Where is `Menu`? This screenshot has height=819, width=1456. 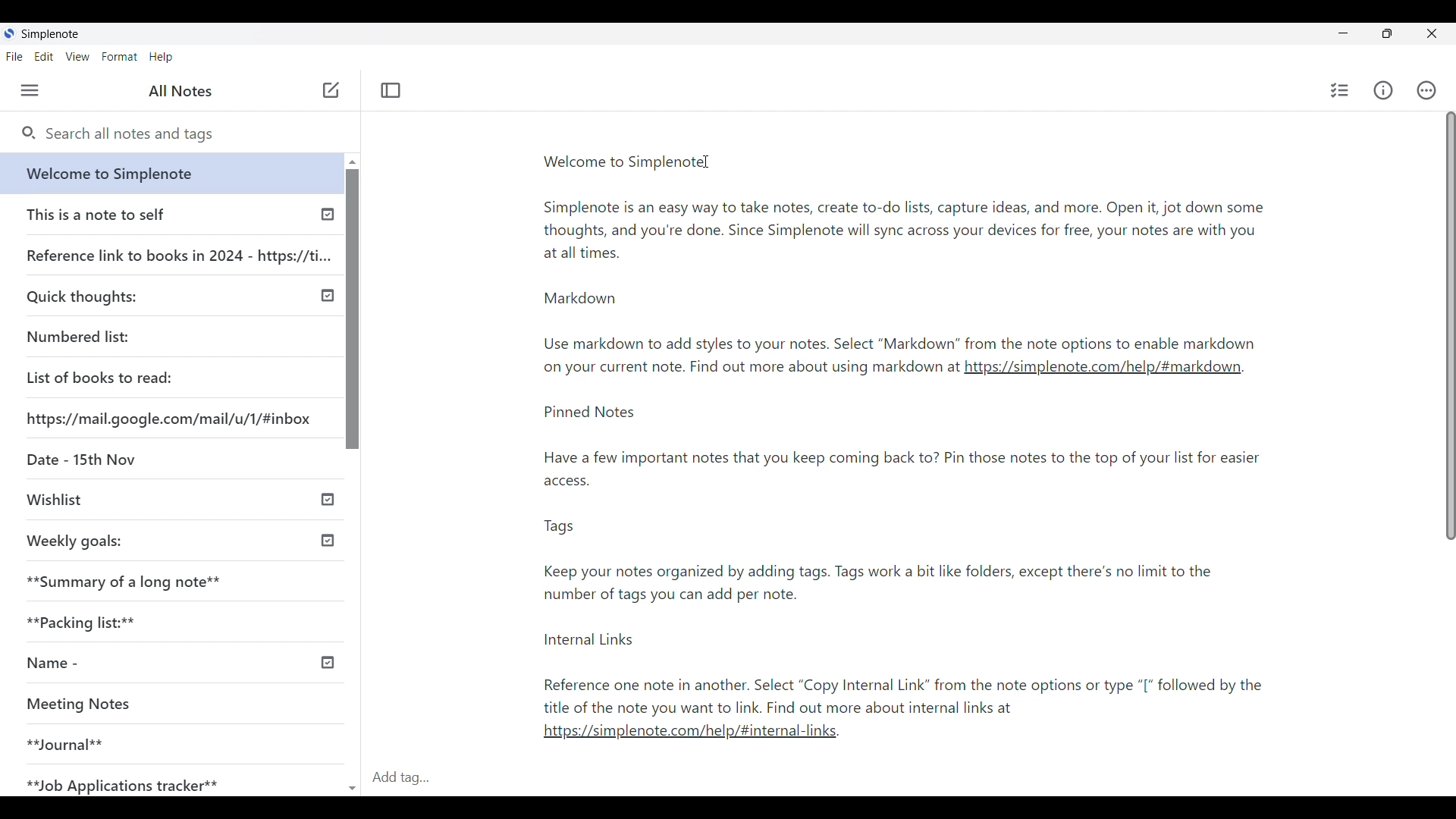
Menu is located at coordinates (30, 90).